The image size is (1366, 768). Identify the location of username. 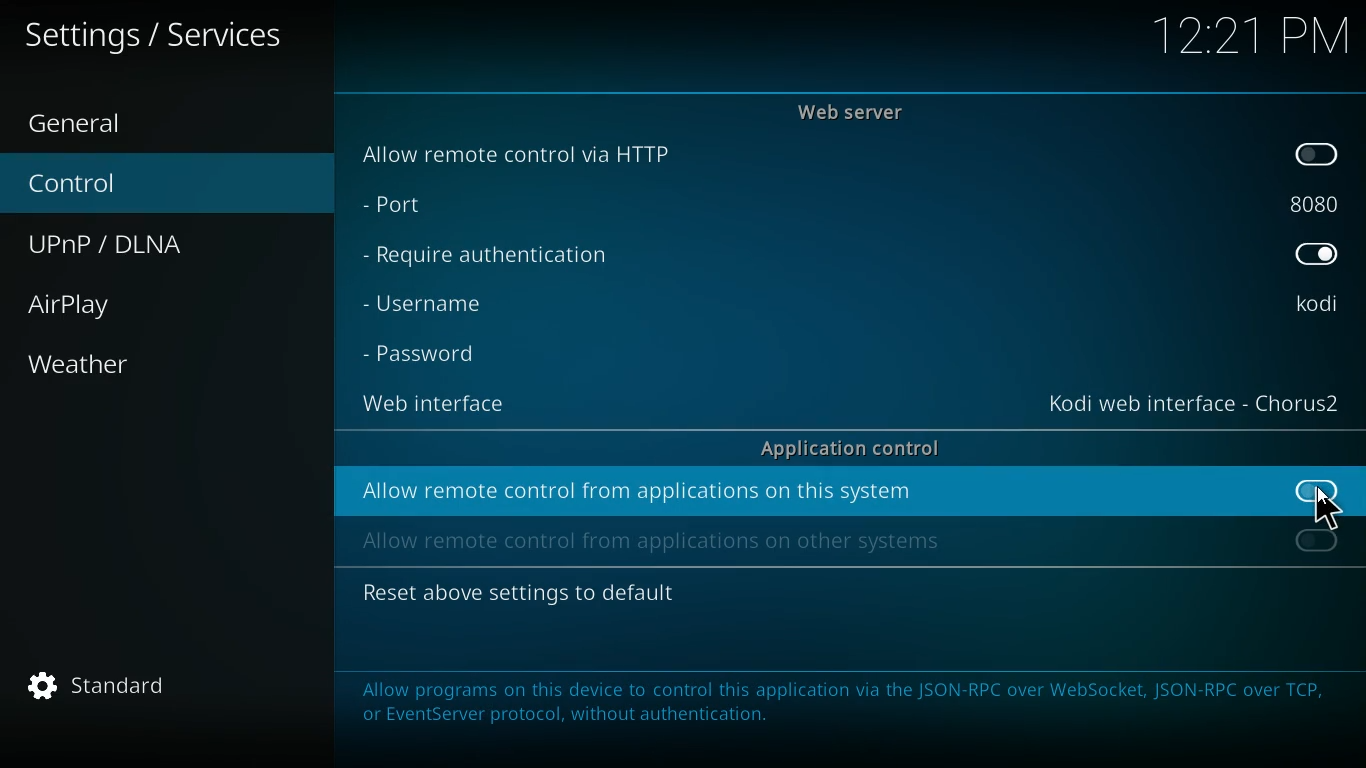
(1315, 307).